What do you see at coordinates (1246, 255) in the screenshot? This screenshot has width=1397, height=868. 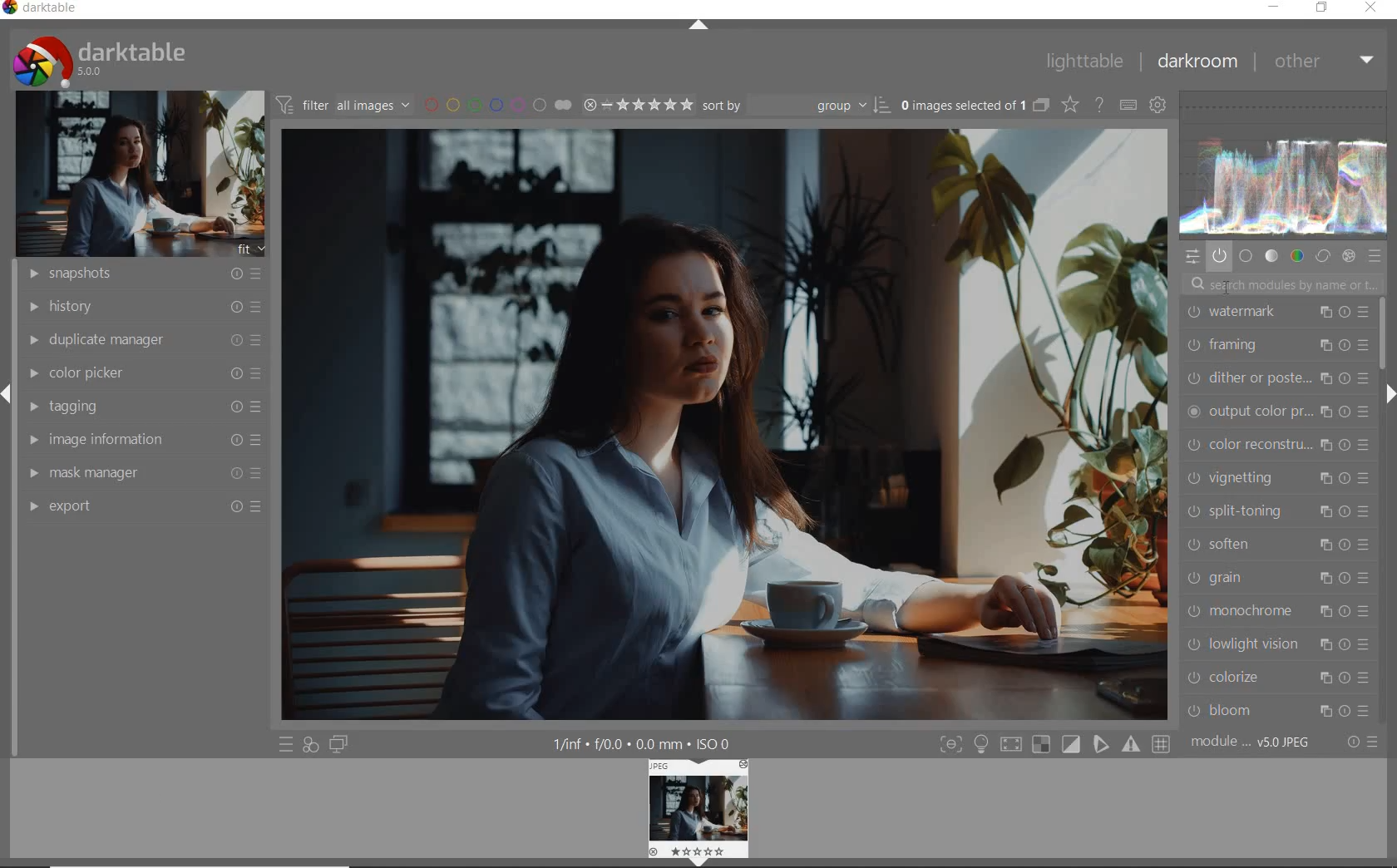 I see `base` at bounding box center [1246, 255].